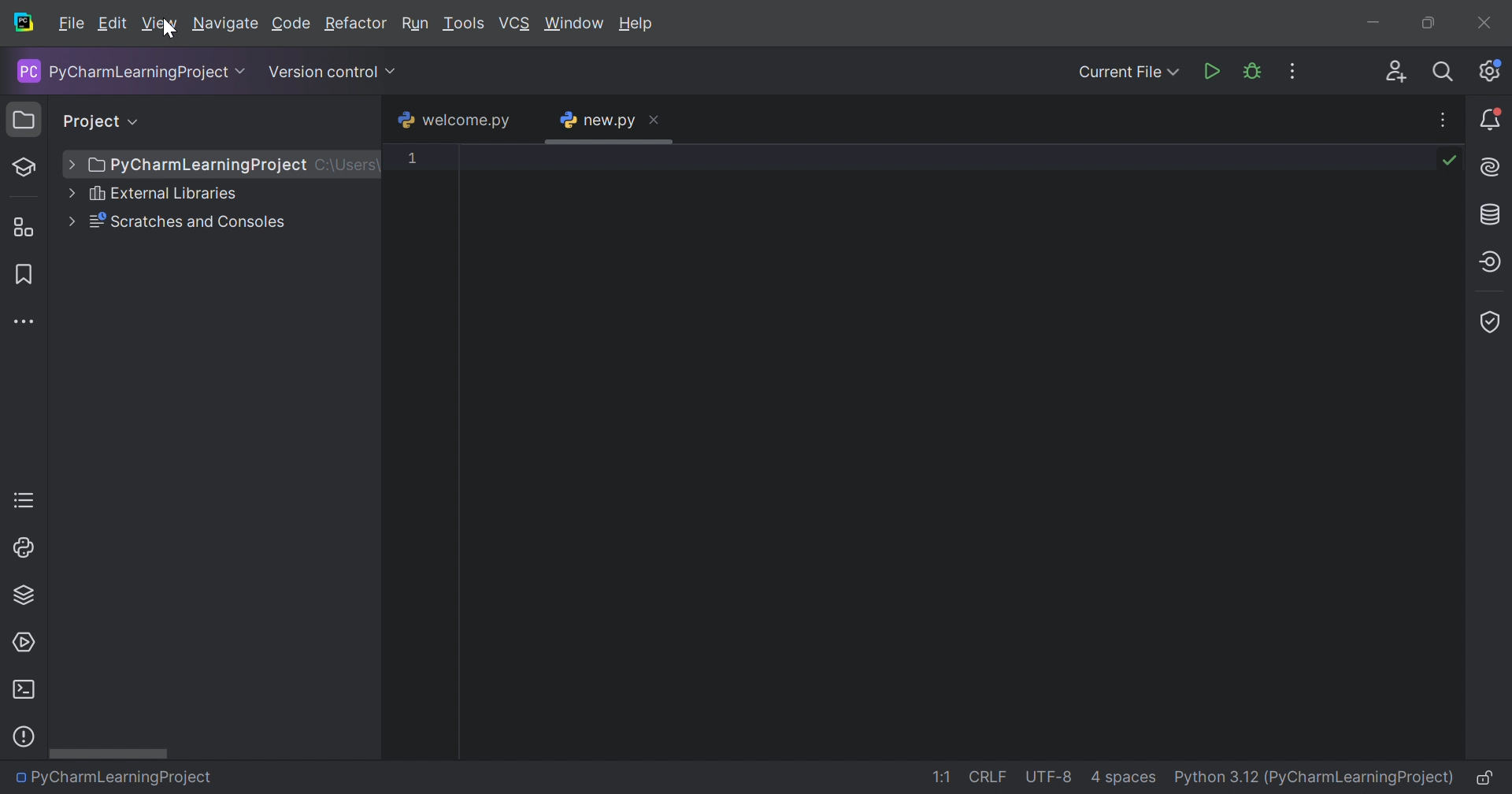 The width and height of the screenshot is (1512, 794). I want to click on Structure, so click(28, 228).